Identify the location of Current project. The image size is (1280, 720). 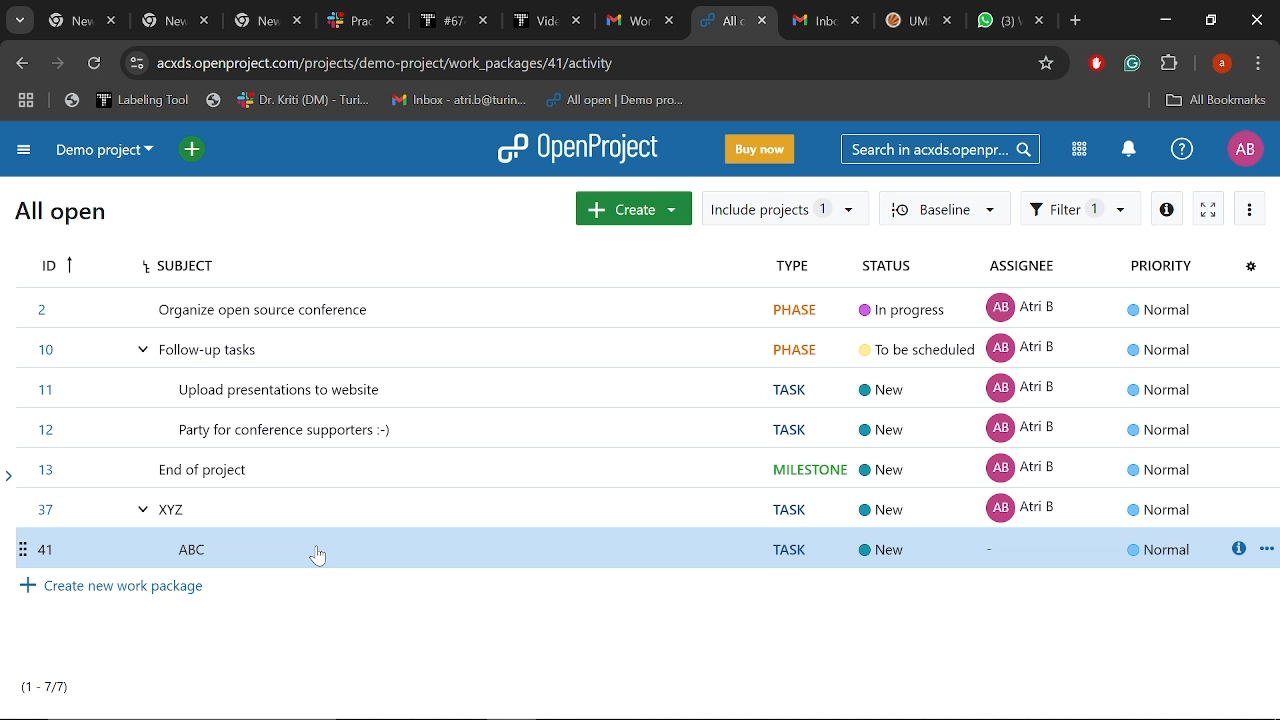
(105, 154).